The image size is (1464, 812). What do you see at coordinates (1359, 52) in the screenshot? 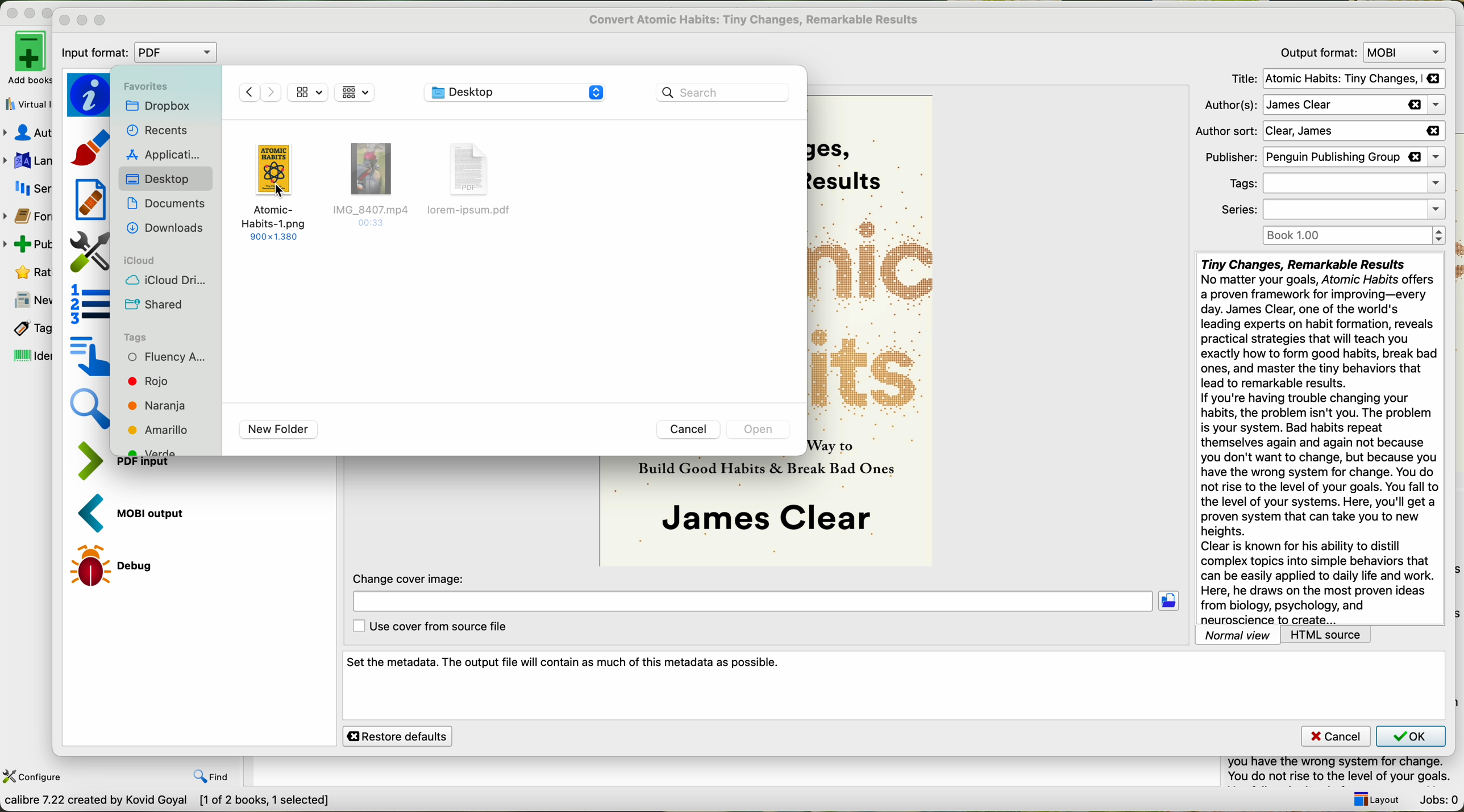
I see `output format: MOVI` at bounding box center [1359, 52].